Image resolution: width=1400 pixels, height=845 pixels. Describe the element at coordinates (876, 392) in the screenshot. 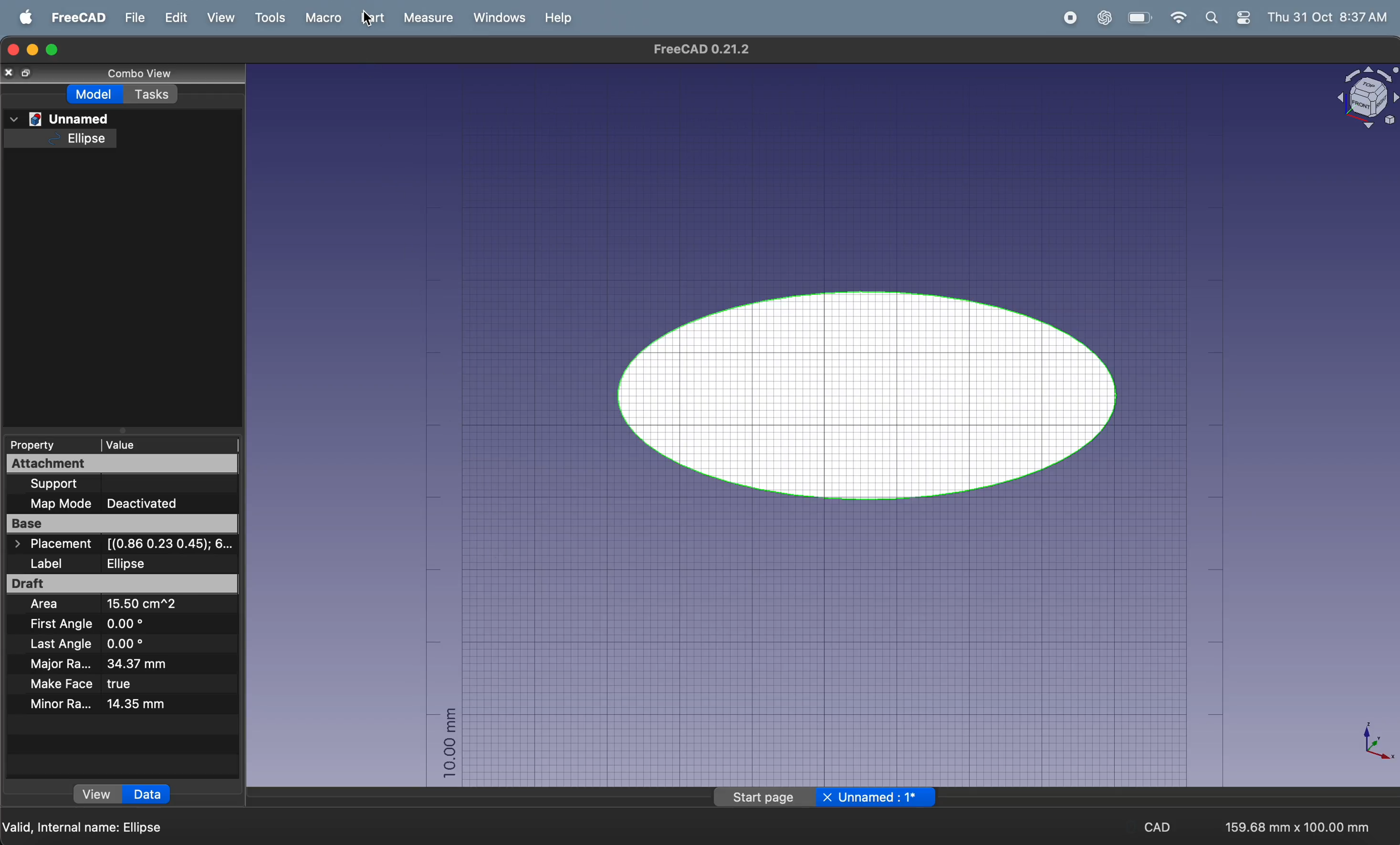

I see `ellipse` at that location.